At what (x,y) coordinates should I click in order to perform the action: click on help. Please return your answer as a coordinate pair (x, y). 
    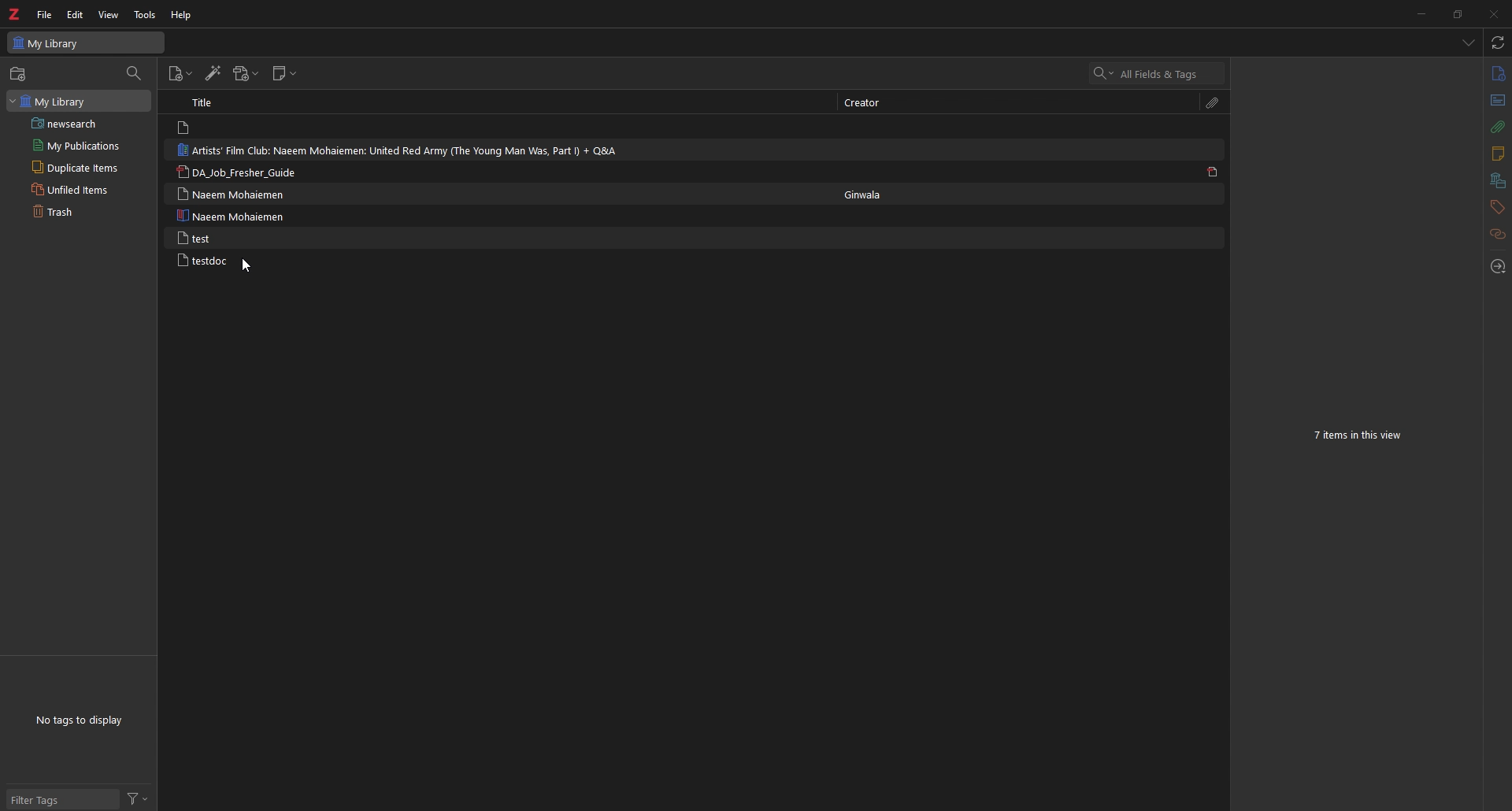
    Looking at the image, I should click on (182, 15).